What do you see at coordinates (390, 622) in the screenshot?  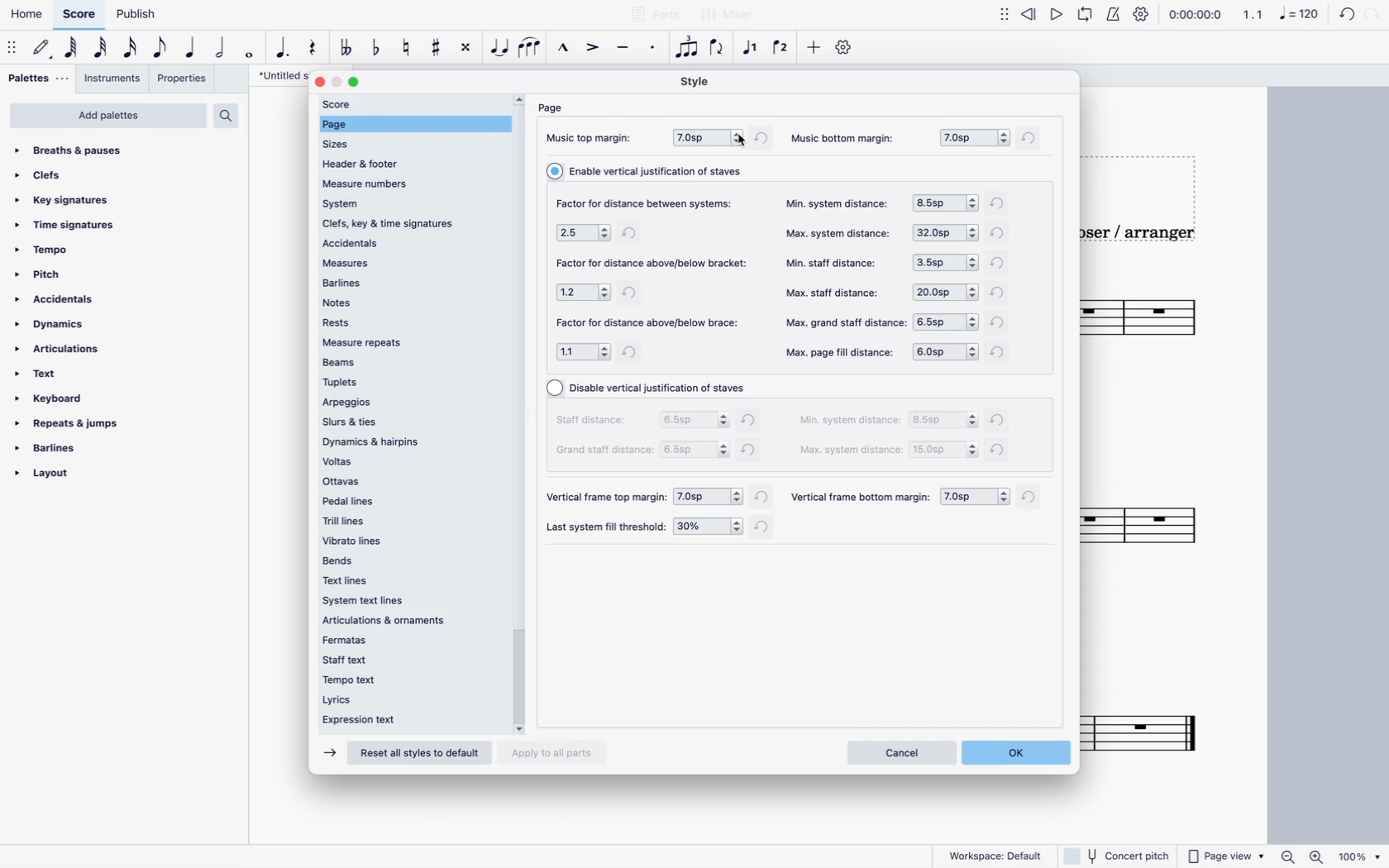 I see `articulations & ornaments` at bounding box center [390, 622].